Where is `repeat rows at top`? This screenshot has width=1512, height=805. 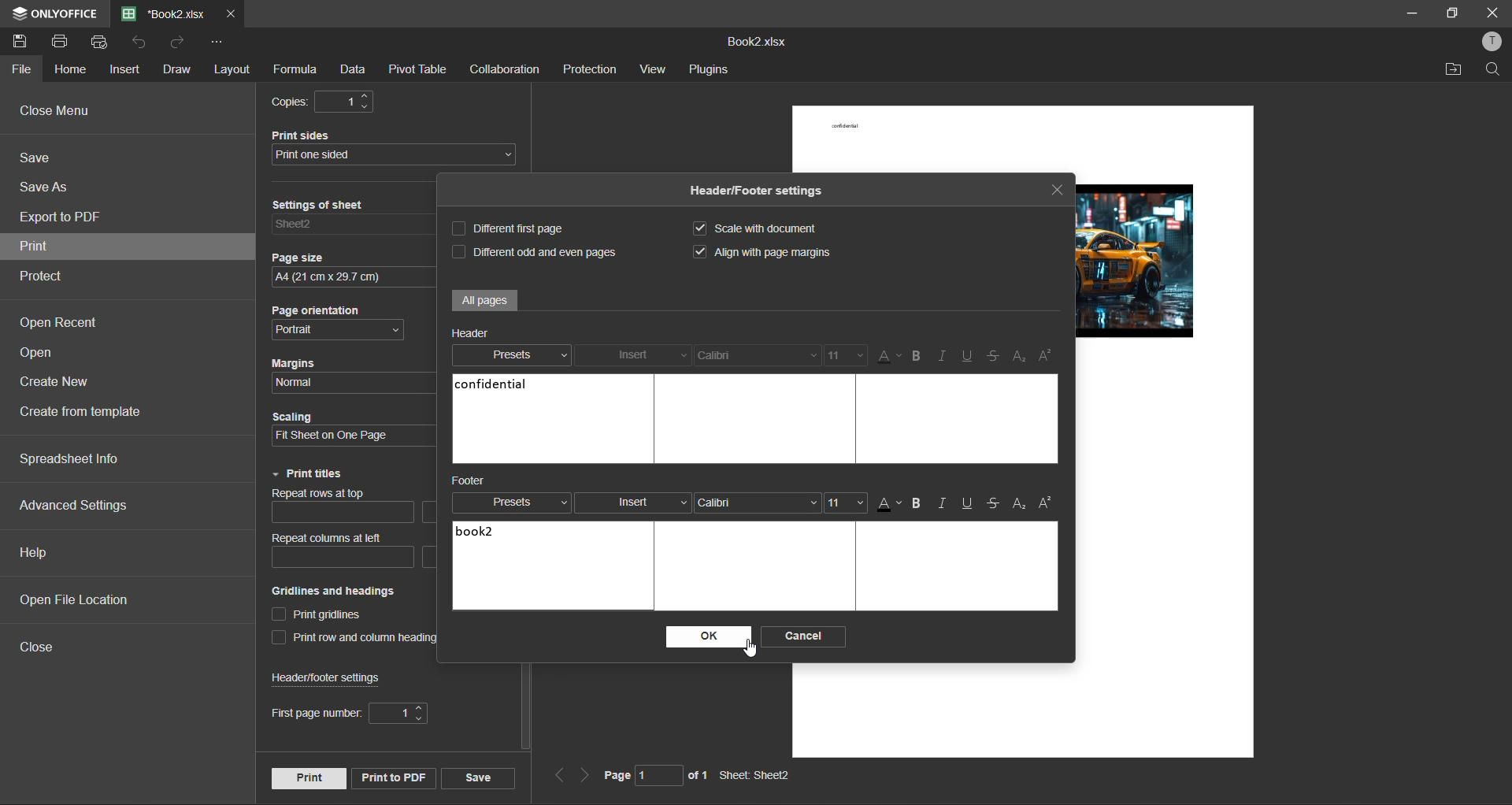
repeat rows at top is located at coordinates (354, 507).